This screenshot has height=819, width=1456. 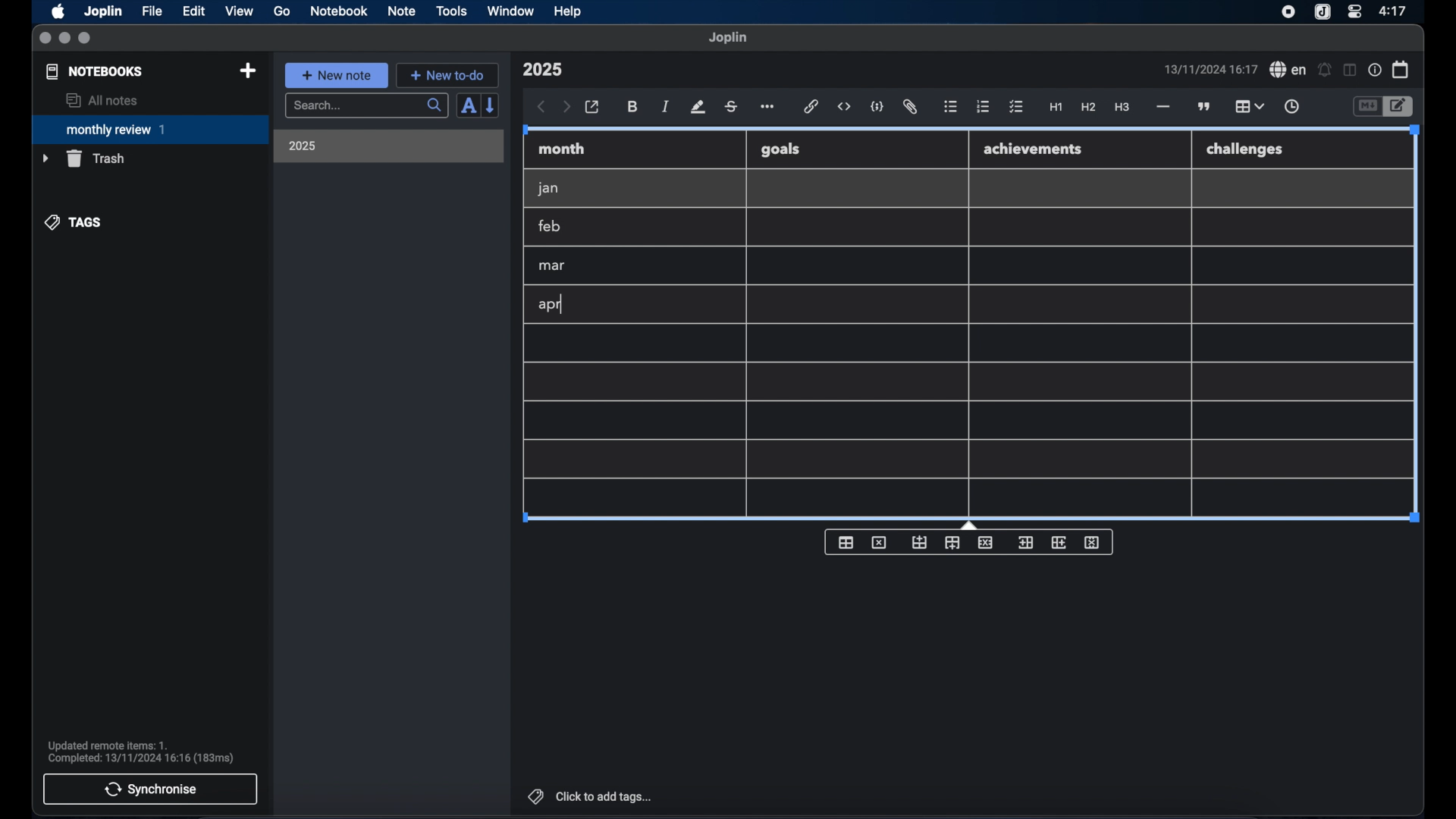 What do you see at coordinates (1122, 108) in the screenshot?
I see `heading 3` at bounding box center [1122, 108].